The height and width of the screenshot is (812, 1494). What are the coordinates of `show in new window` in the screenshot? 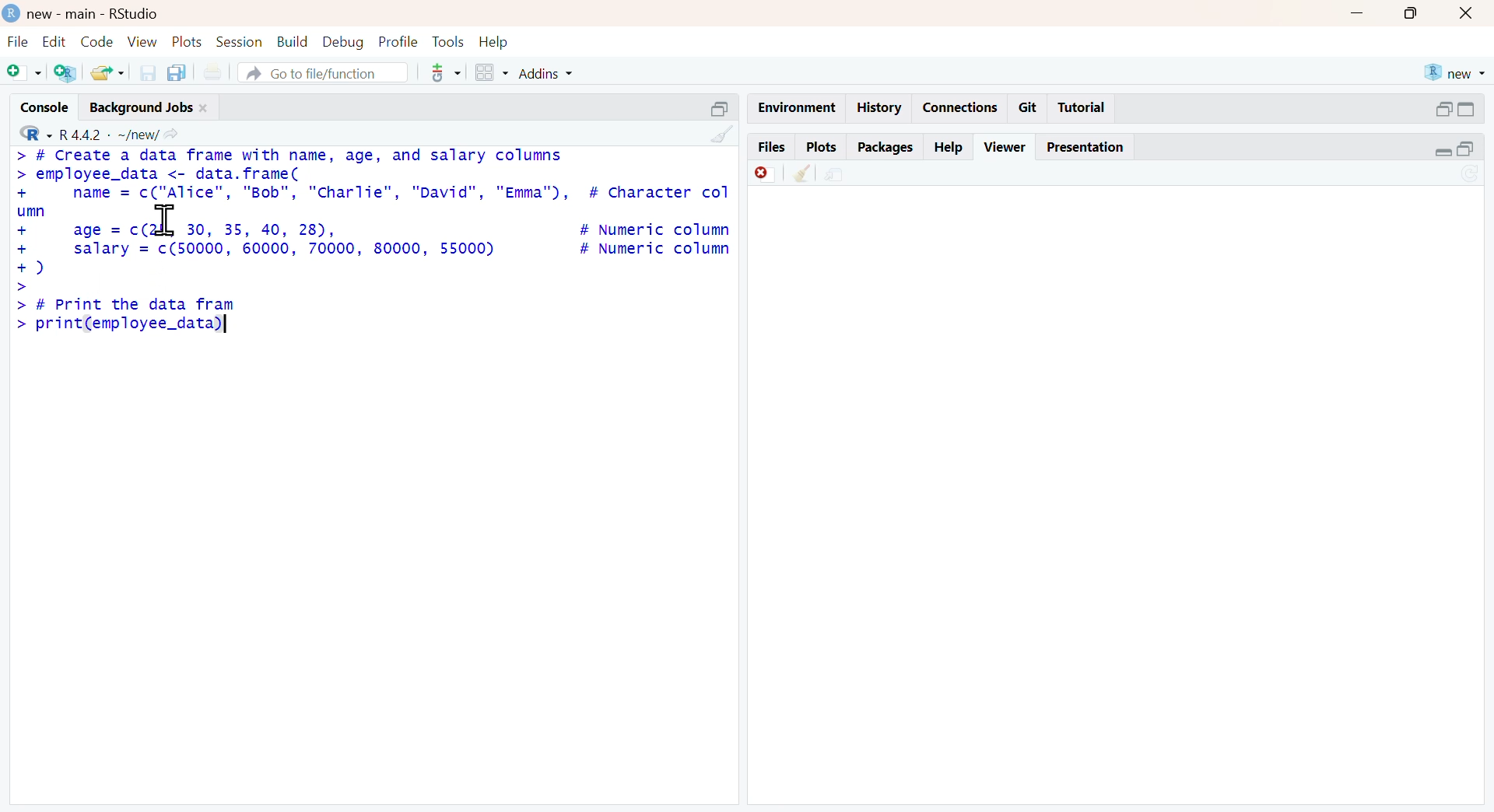 It's located at (849, 175).